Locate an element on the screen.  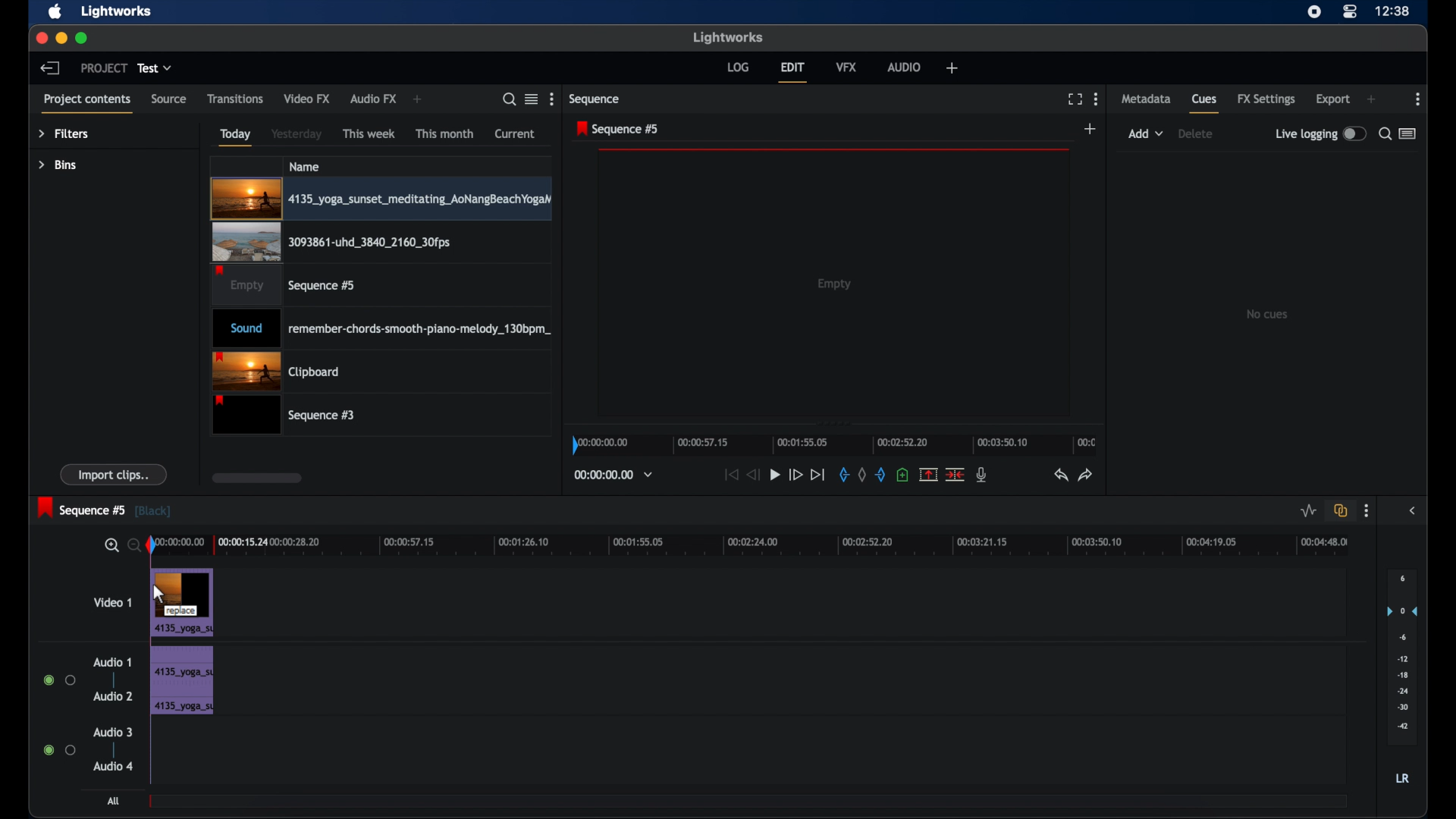
current is located at coordinates (515, 134).